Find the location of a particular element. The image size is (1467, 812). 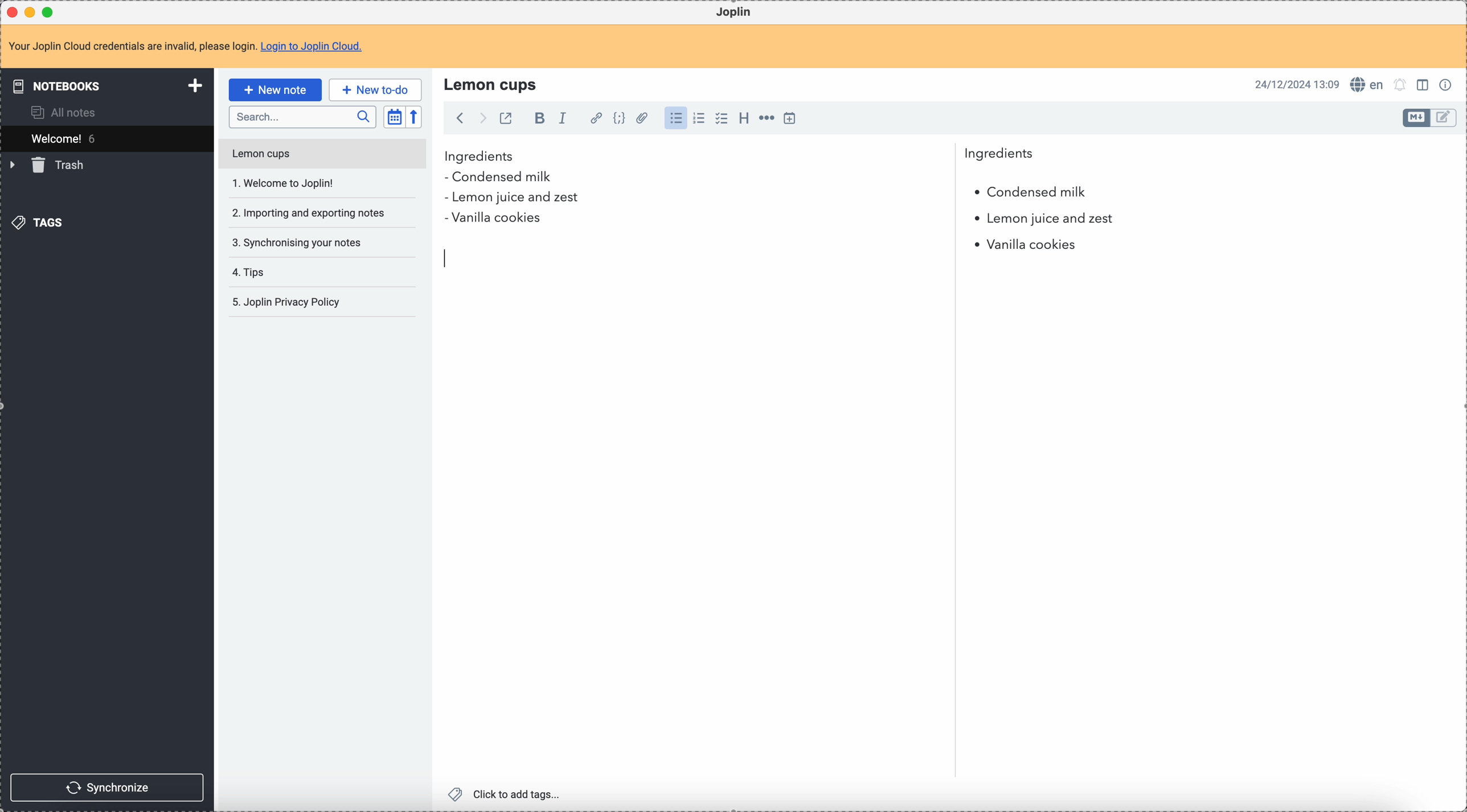

toggle sort order field is located at coordinates (394, 117).